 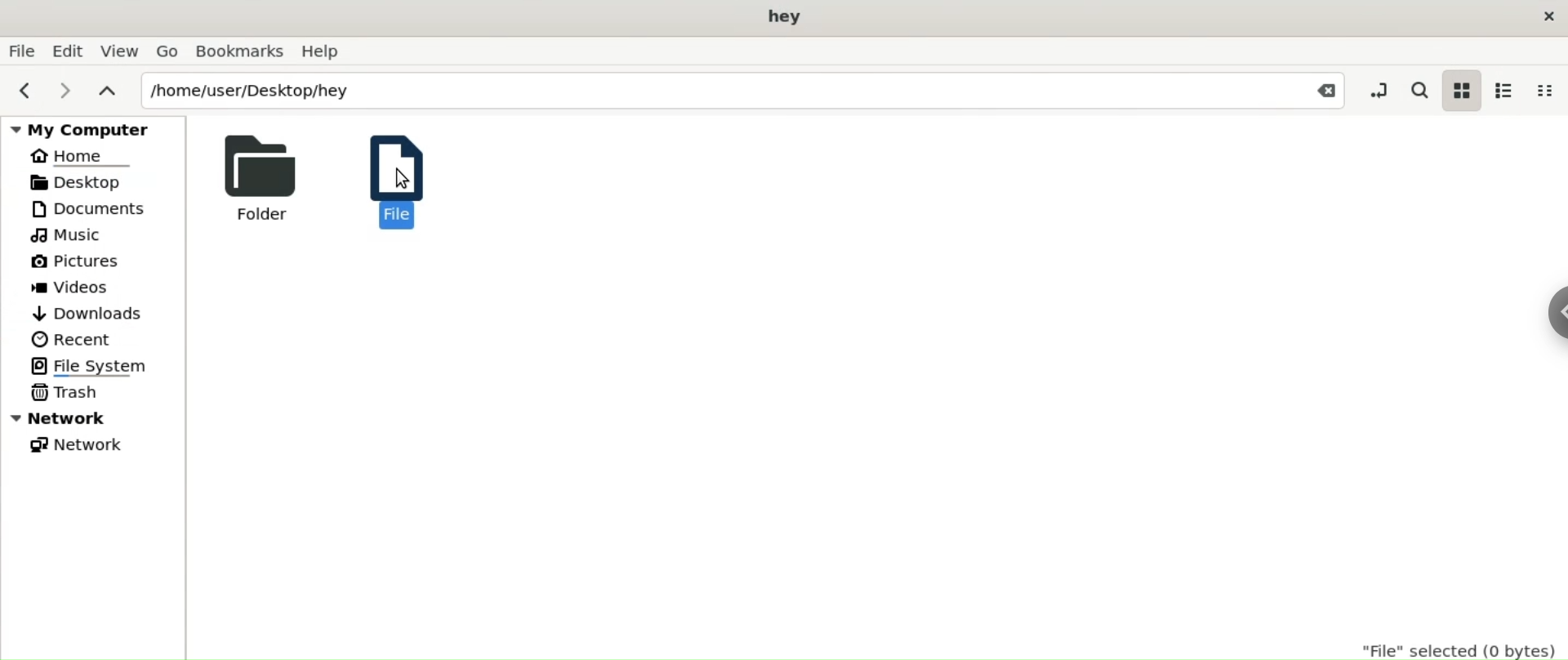 What do you see at coordinates (74, 340) in the screenshot?
I see `Recent` at bounding box center [74, 340].